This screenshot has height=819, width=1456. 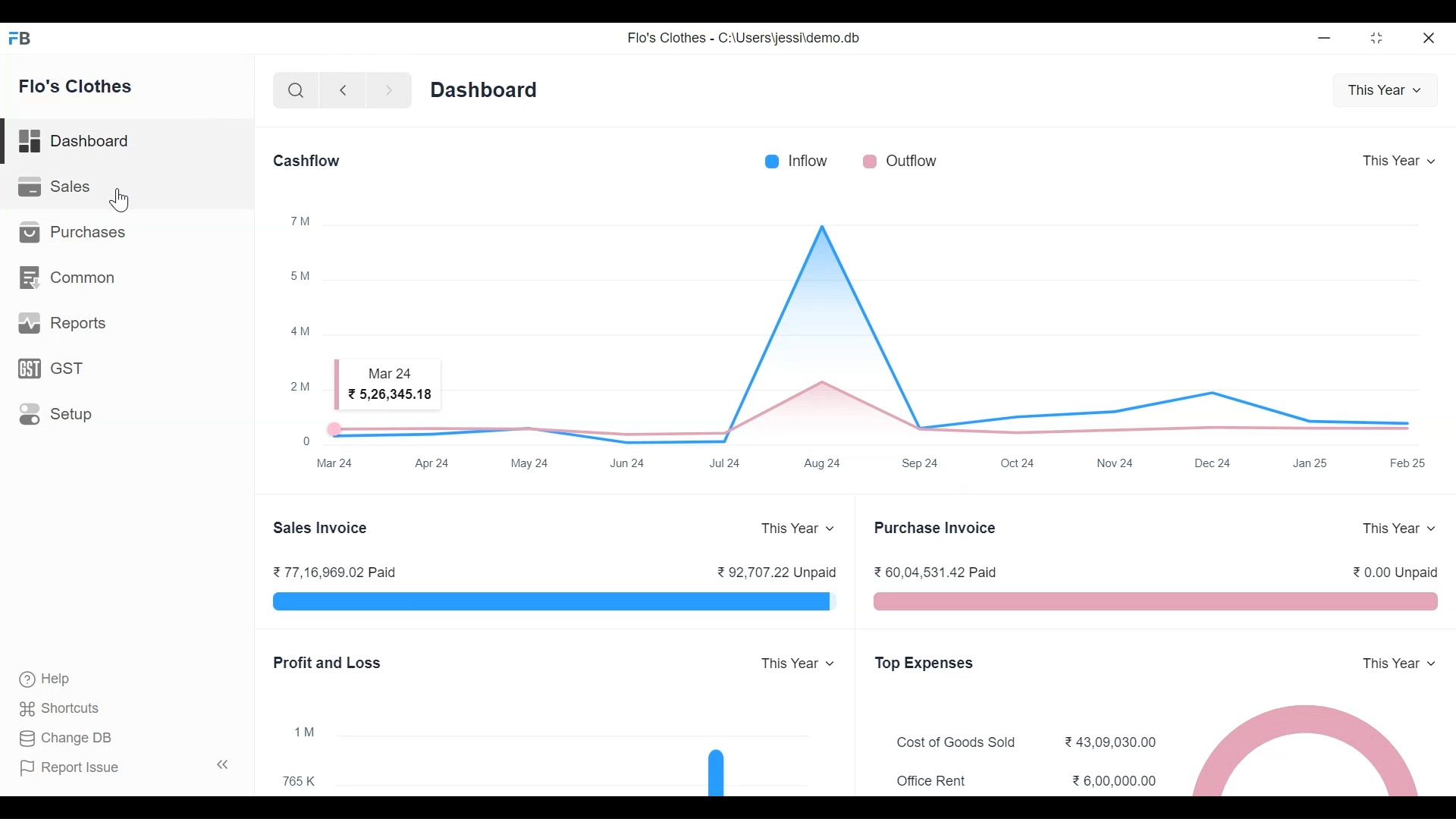 I want to click on Profit and Loss, so click(x=328, y=663).